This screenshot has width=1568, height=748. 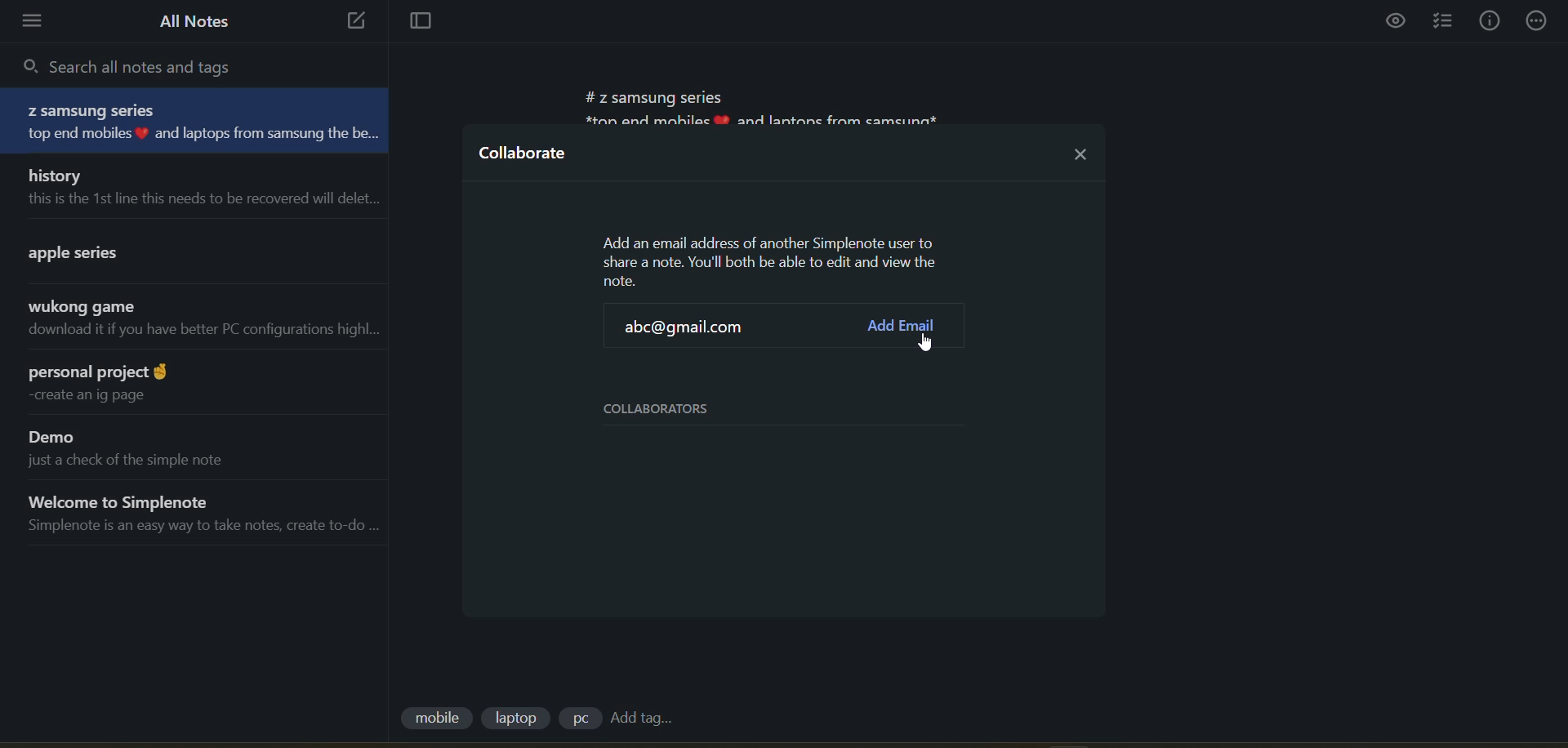 I want to click on toggle focus mode, so click(x=414, y=23).